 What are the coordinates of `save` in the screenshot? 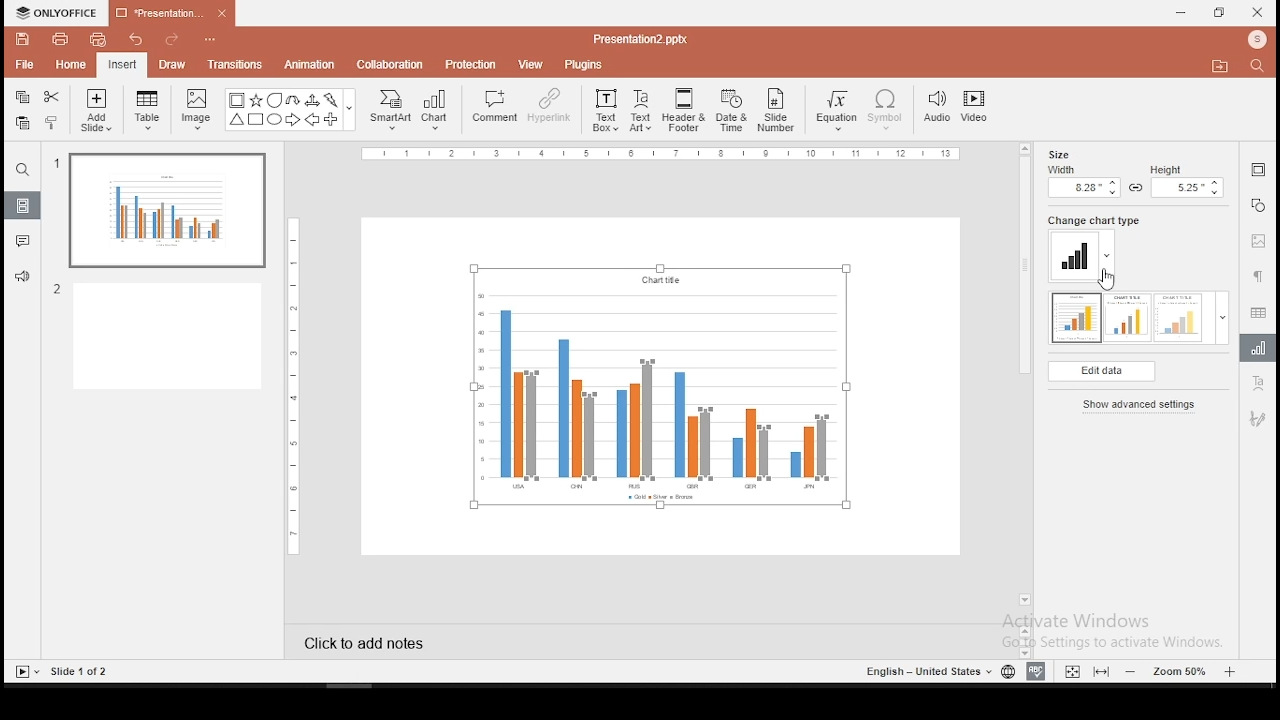 It's located at (23, 41).